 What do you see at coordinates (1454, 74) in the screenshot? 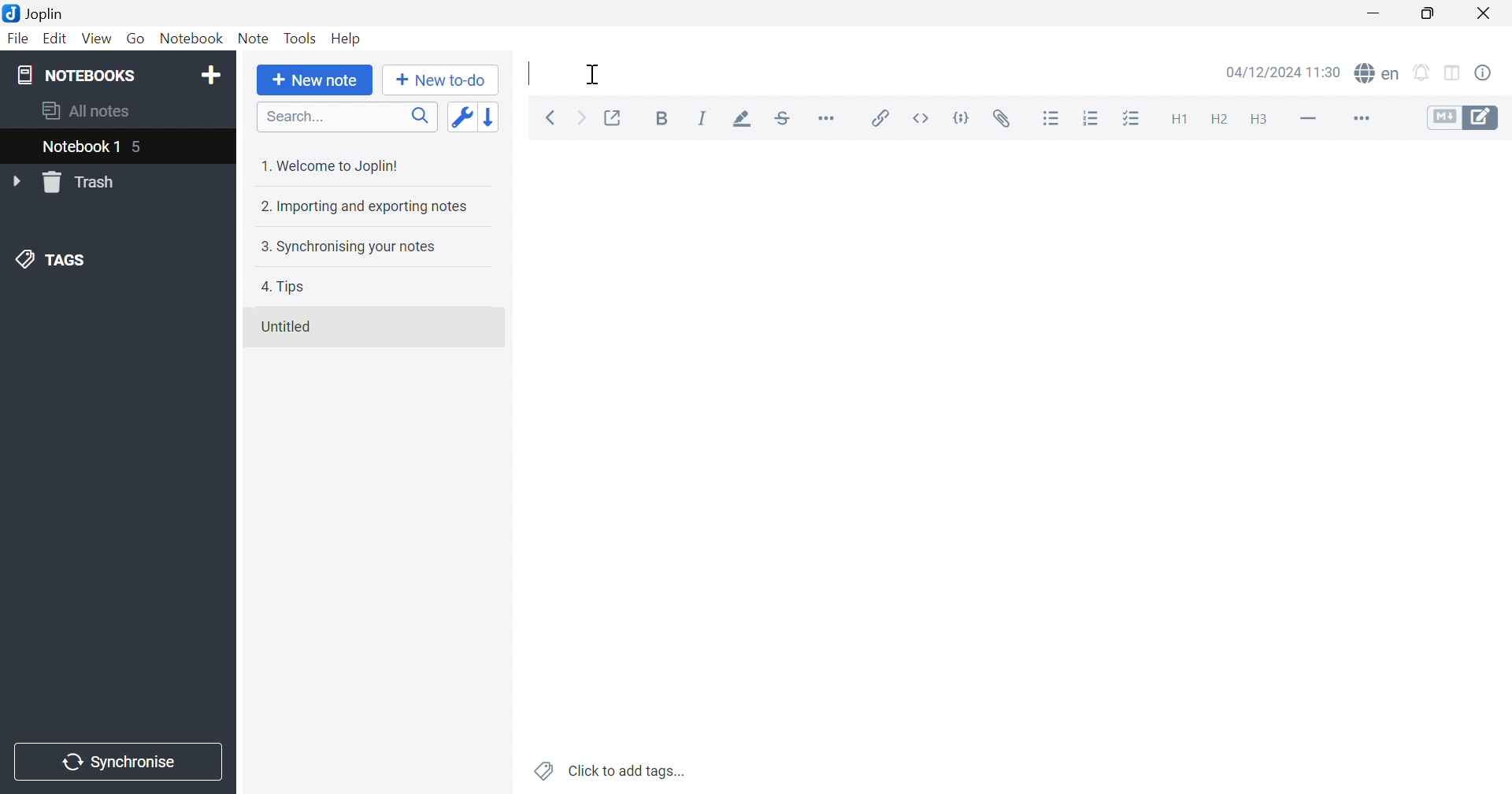
I see `Toggle editor layout` at bounding box center [1454, 74].